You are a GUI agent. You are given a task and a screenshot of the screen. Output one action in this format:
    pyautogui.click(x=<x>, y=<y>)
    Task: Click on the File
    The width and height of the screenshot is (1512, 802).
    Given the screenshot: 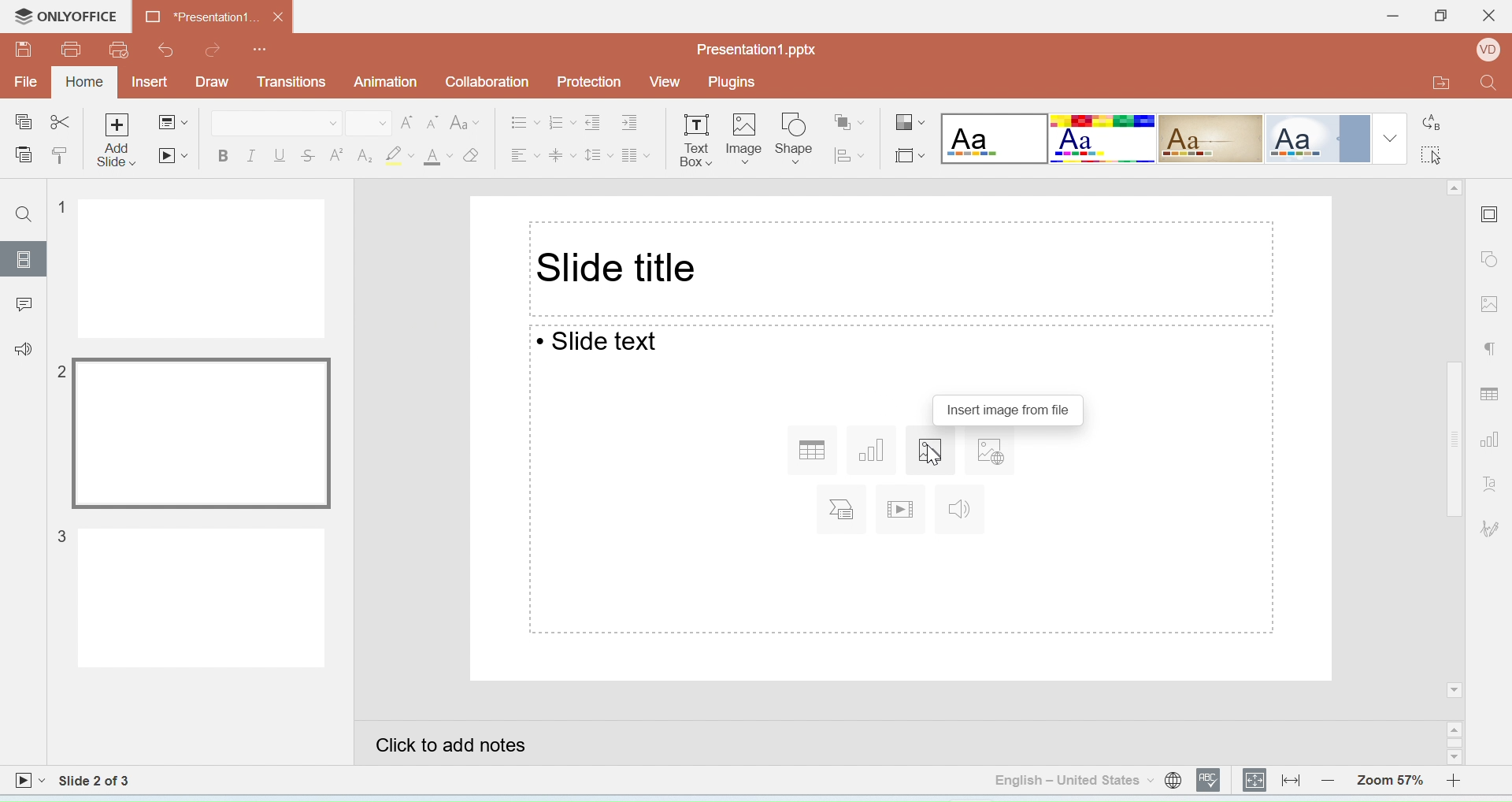 What is the action you would take?
    pyautogui.click(x=28, y=81)
    